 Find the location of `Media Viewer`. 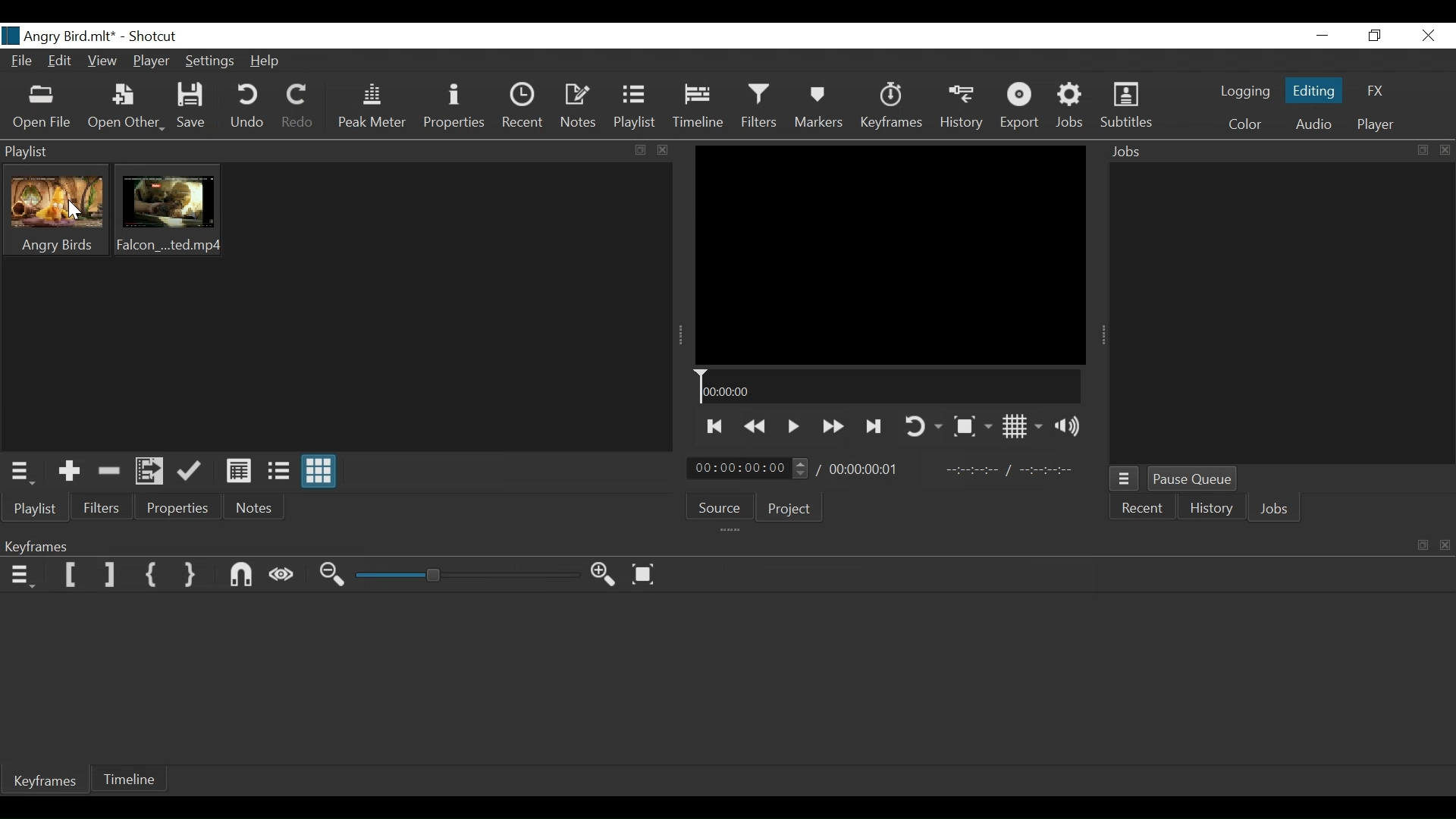

Media Viewer is located at coordinates (891, 255).